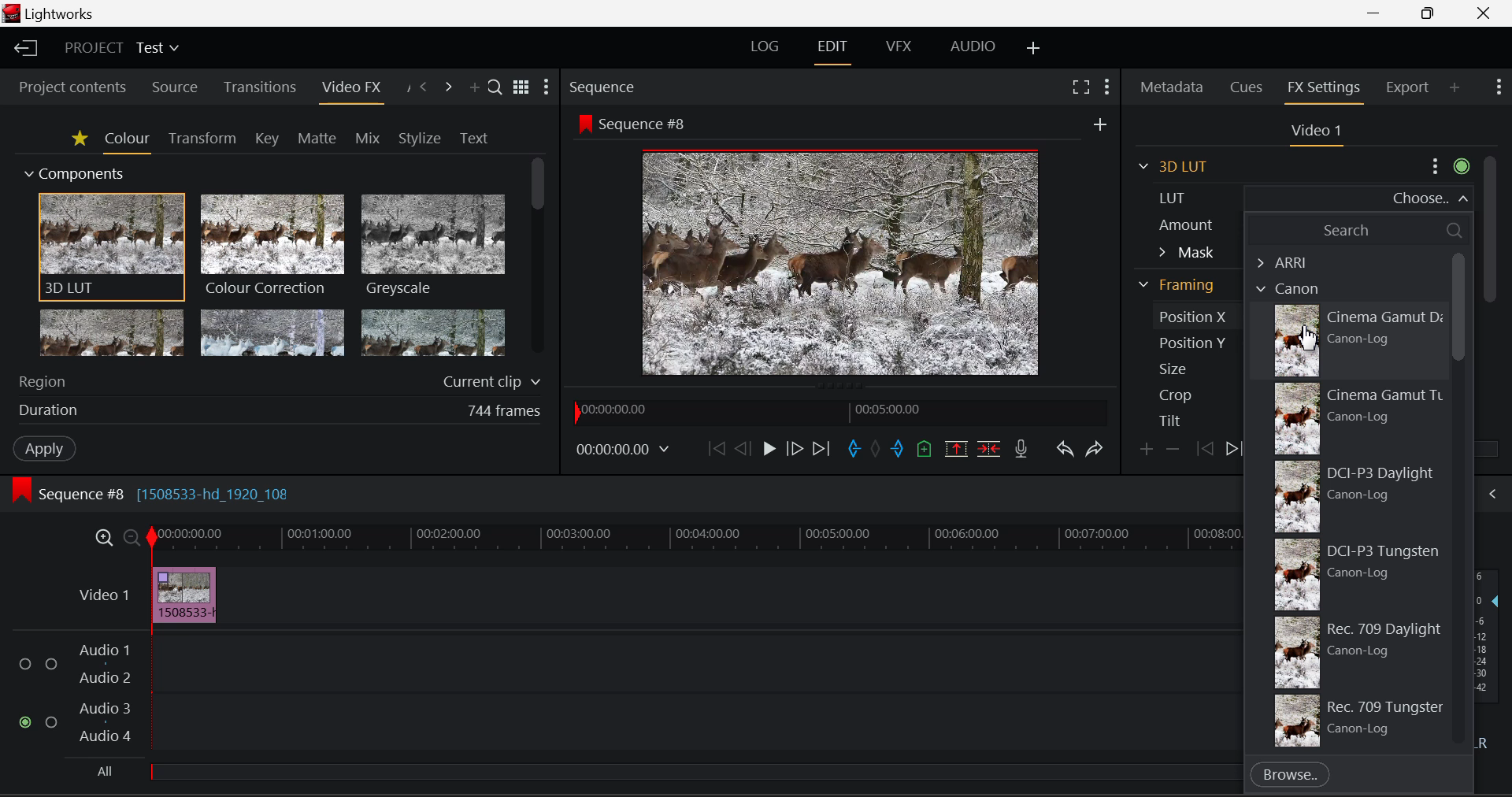 Image resolution: width=1512 pixels, height=797 pixels. What do you see at coordinates (521, 85) in the screenshot?
I see `Toggle list and title view` at bounding box center [521, 85].